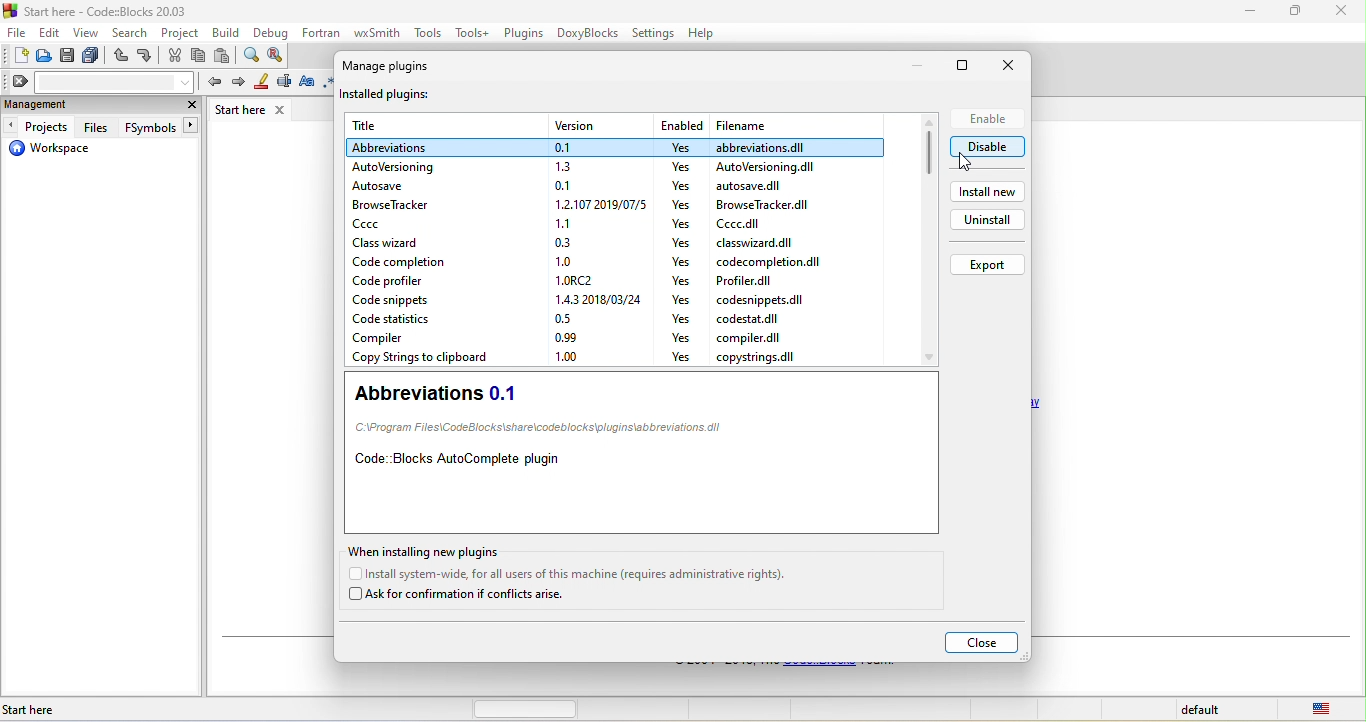 The height and width of the screenshot is (722, 1366). What do you see at coordinates (227, 32) in the screenshot?
I see `build` at bounding box center [227, 32].